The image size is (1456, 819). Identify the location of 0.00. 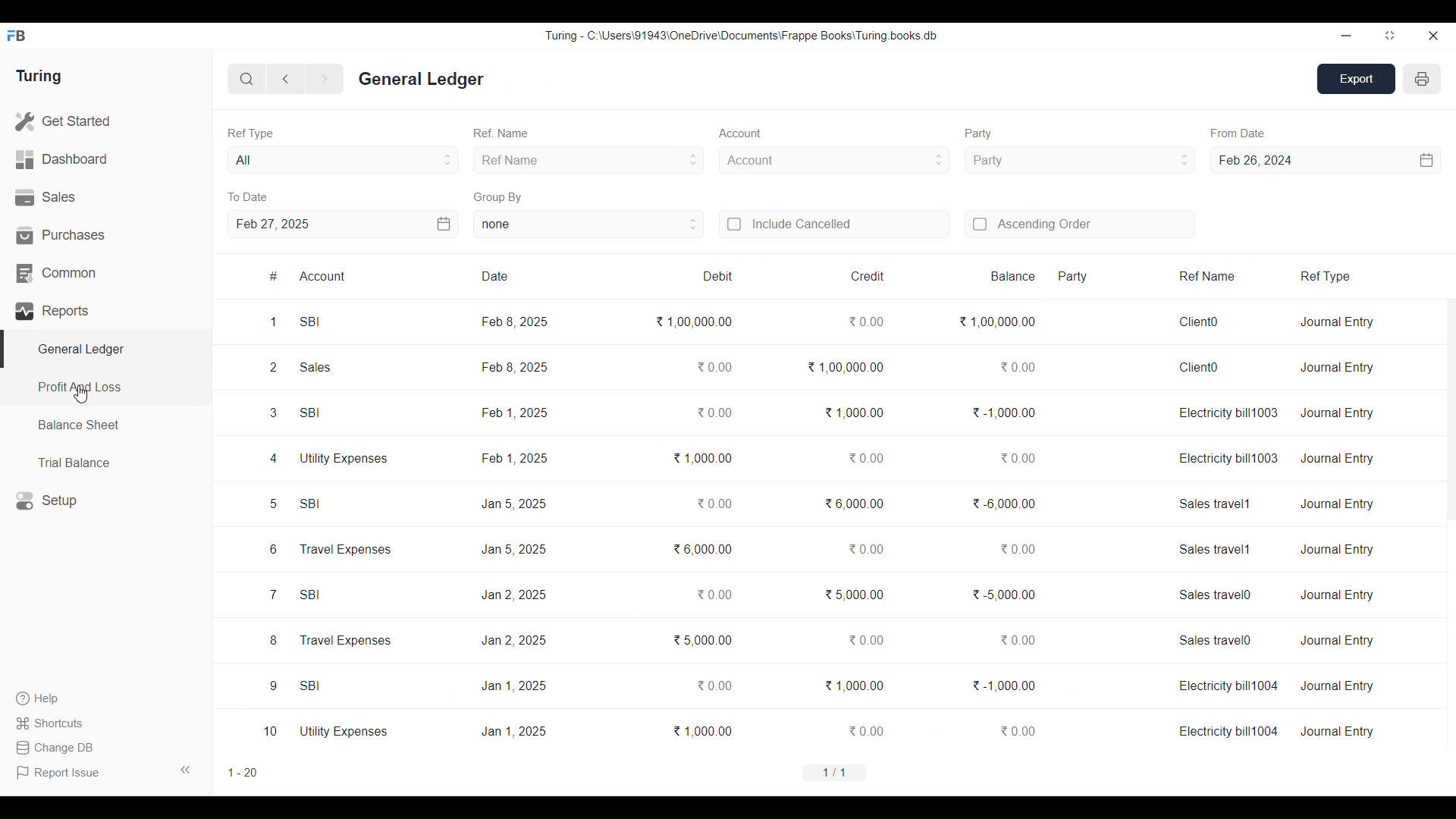
(1018, 639).